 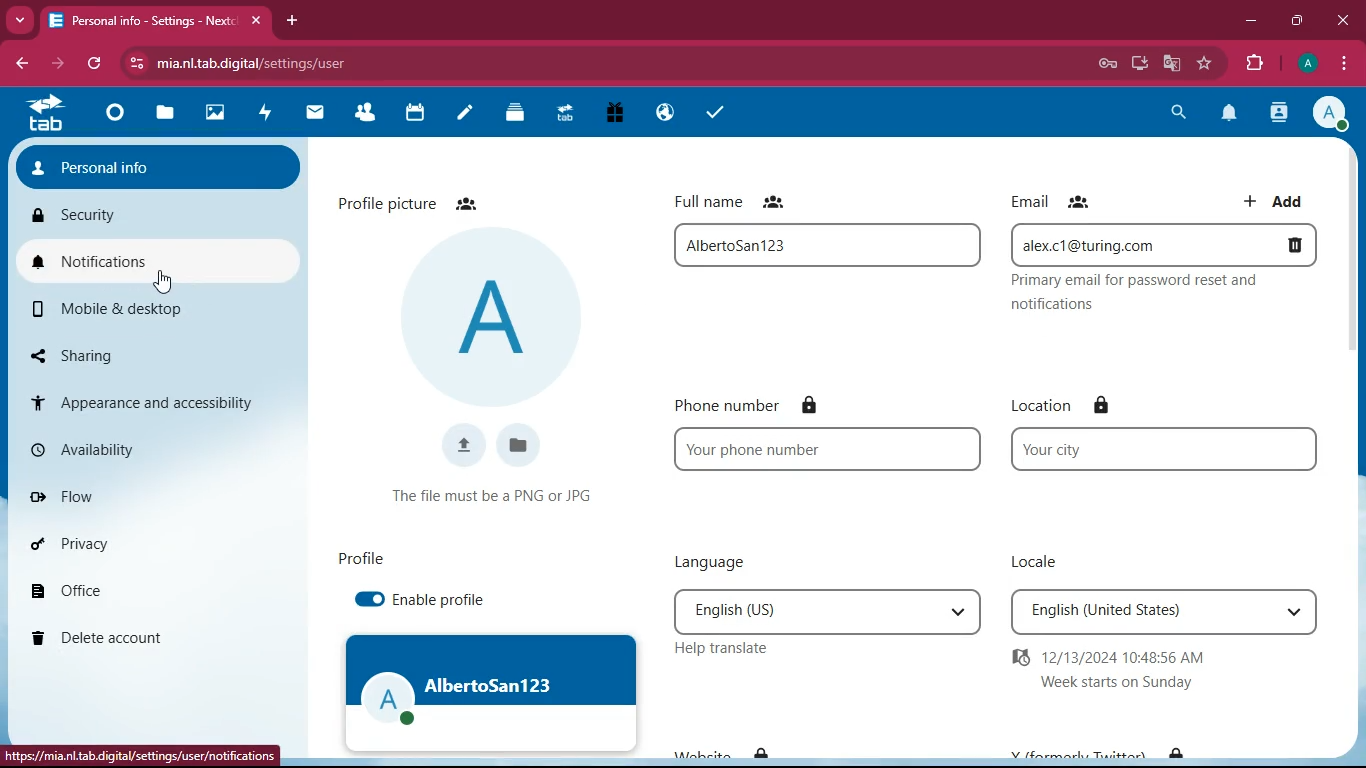 What do you see at coordinates (517, 115) in the screenshot?
I see `Deck` at bounding box center [517, 115].